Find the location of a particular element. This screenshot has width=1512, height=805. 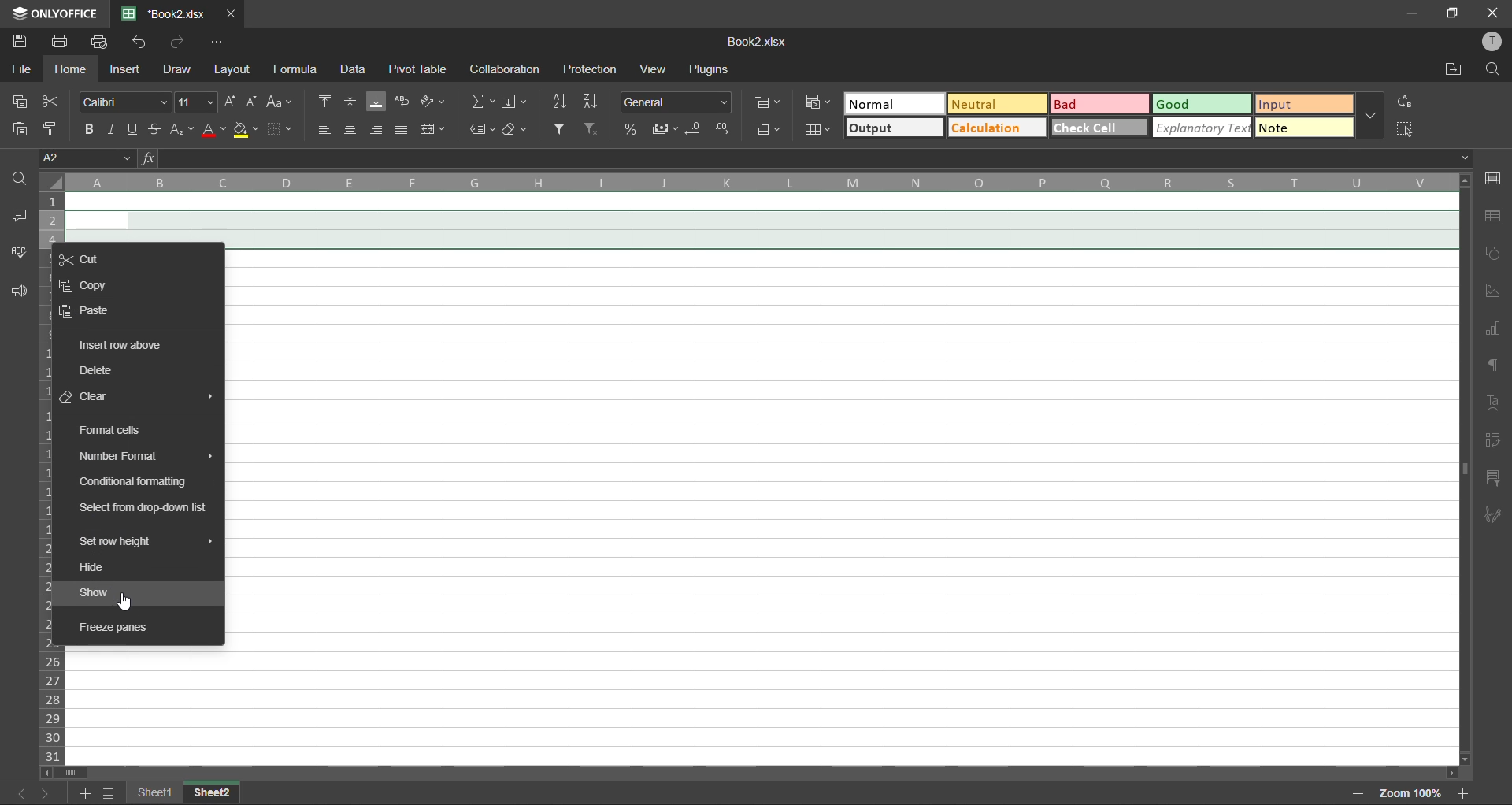

bad is located at coordinates (1099, 102).